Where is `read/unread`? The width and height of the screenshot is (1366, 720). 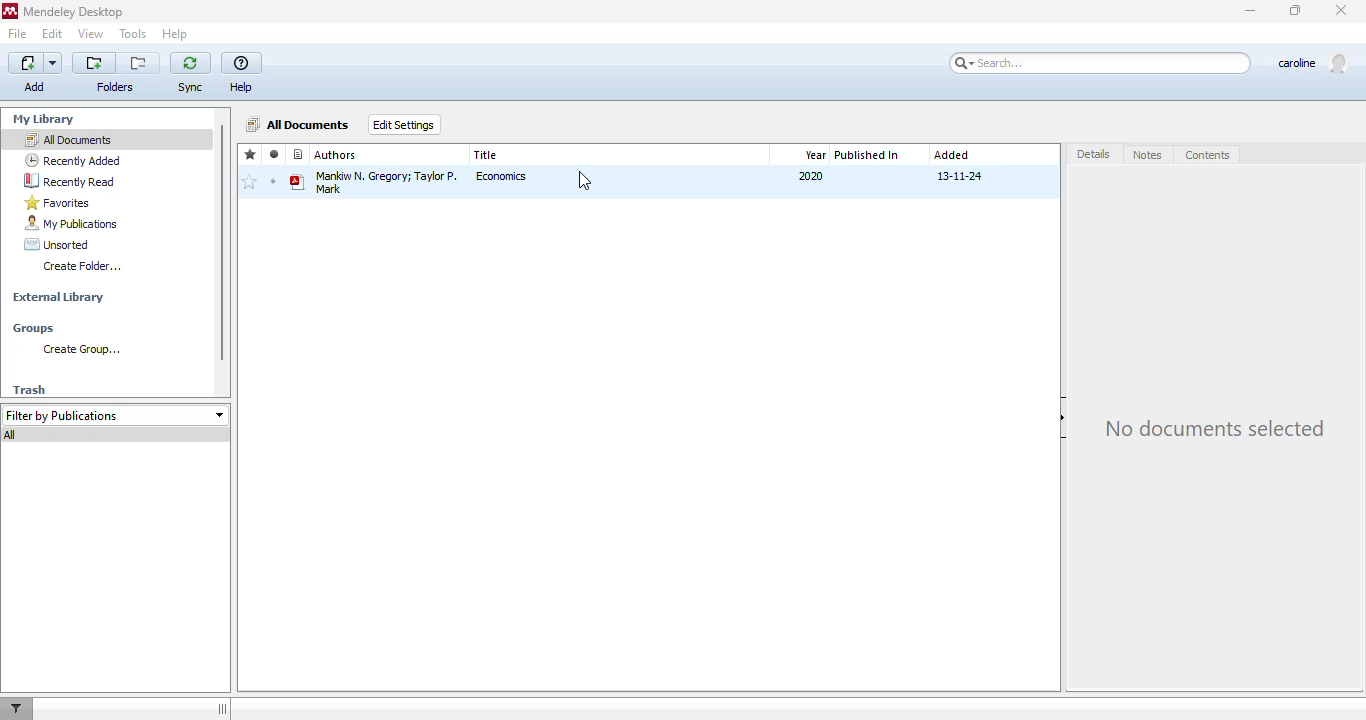
read/unread is located at coordinates (274, 155).